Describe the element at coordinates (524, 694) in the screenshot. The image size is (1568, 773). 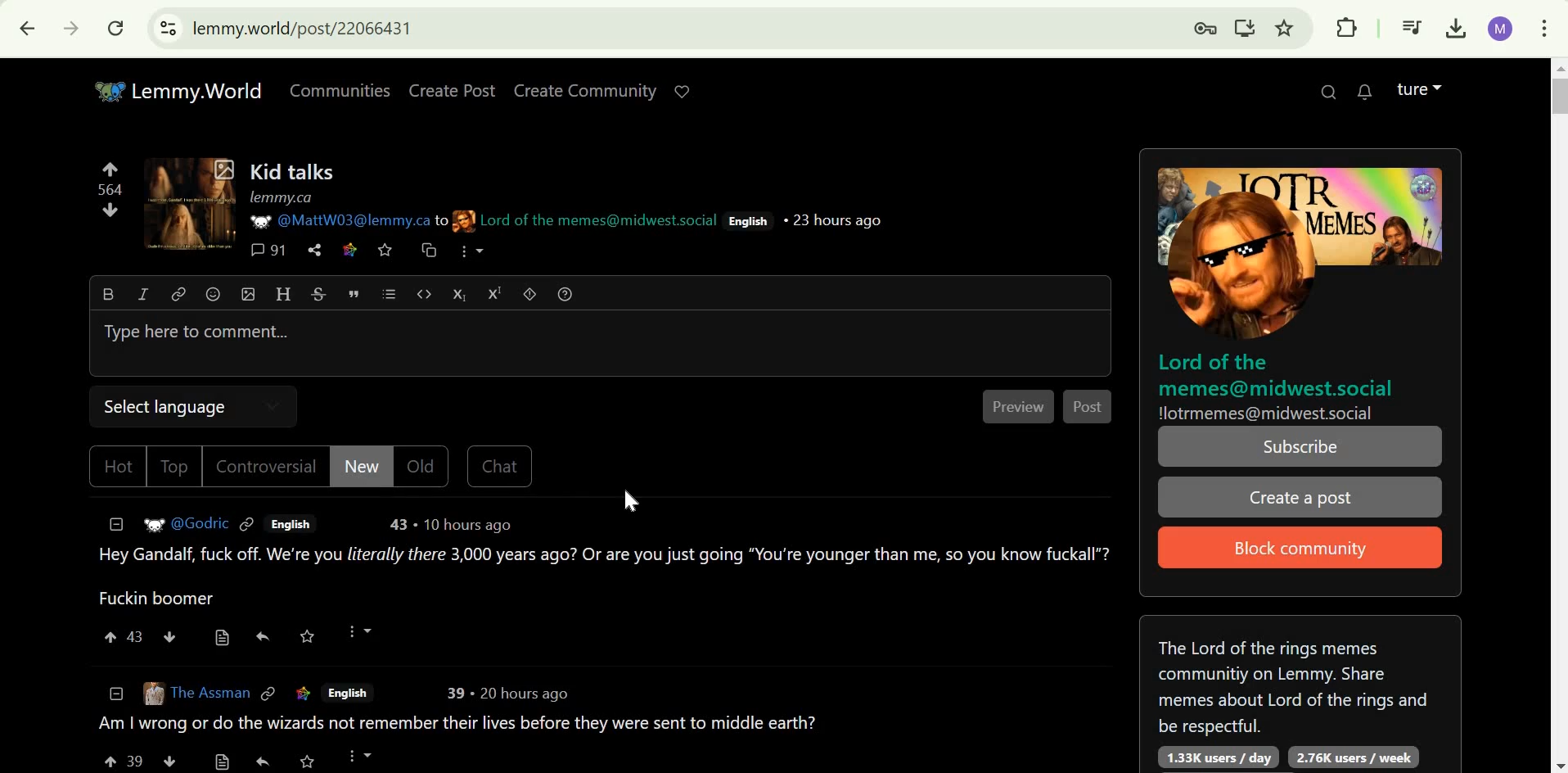
I see `21 hours ago` at that location.